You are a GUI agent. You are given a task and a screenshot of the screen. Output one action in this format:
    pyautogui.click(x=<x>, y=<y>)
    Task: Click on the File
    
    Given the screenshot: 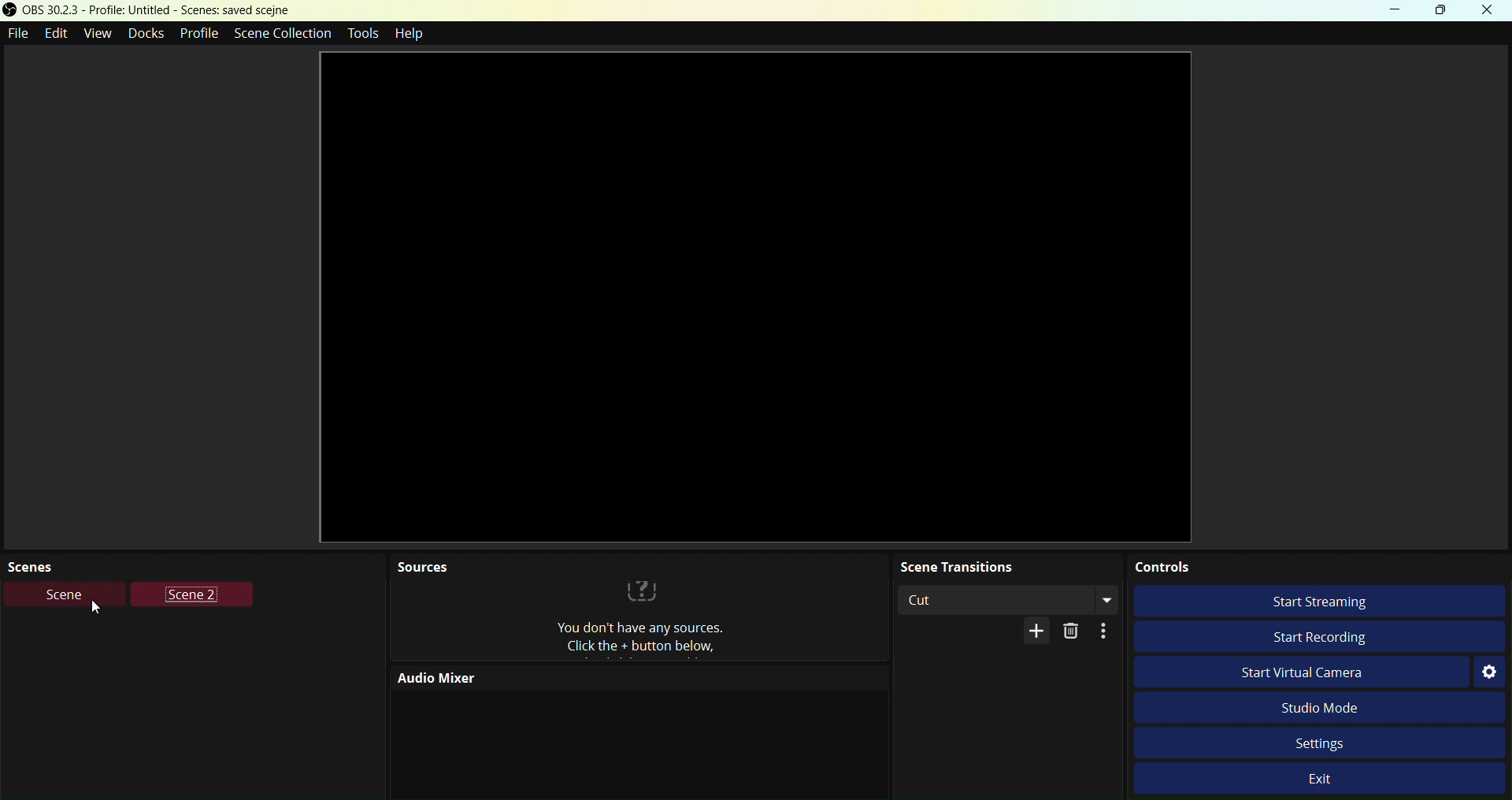 What is the action you would take?
    pyautogui.click(x=17, y=35)
    